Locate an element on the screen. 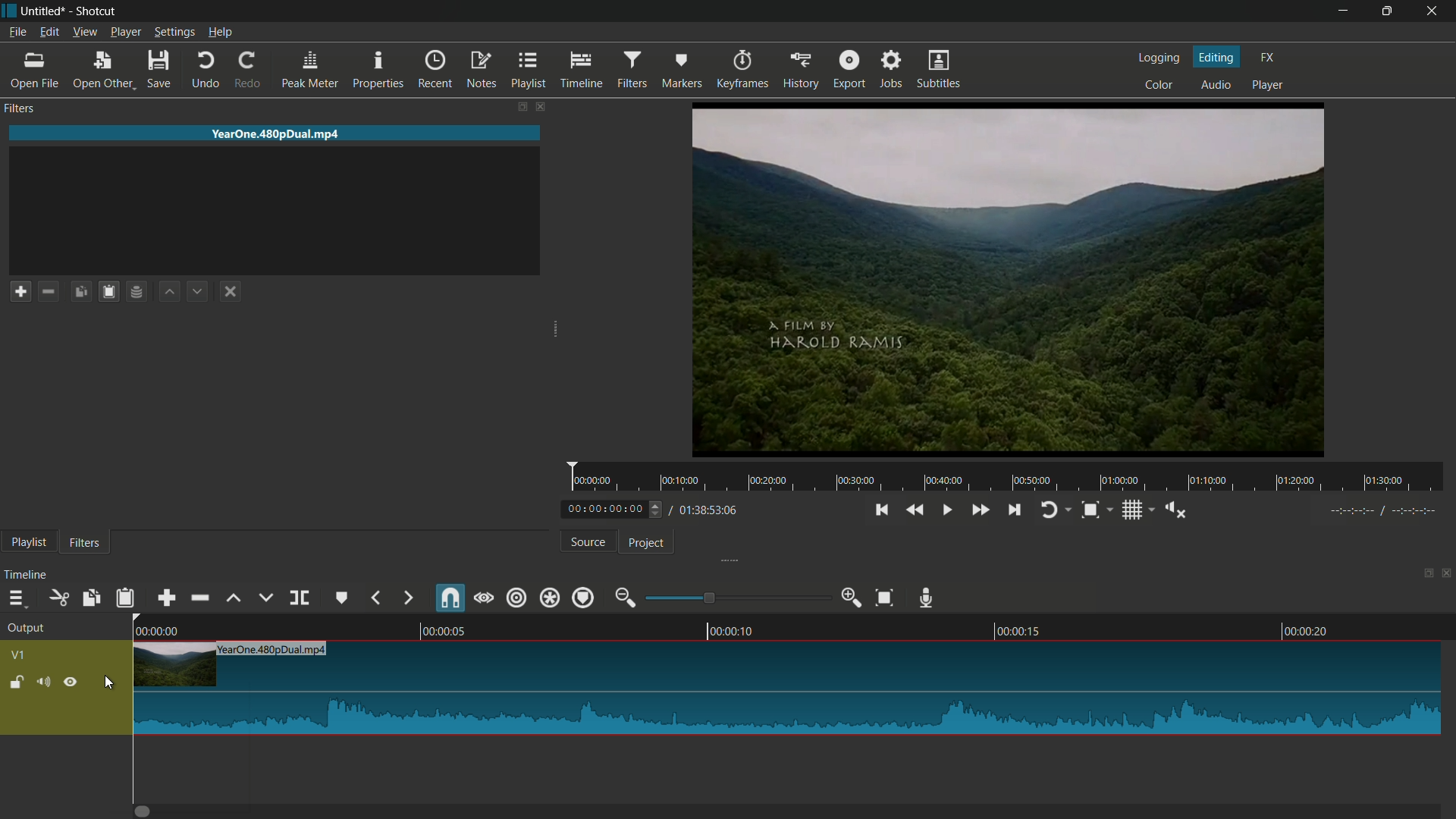  snap is located at coordinates (451, 599).